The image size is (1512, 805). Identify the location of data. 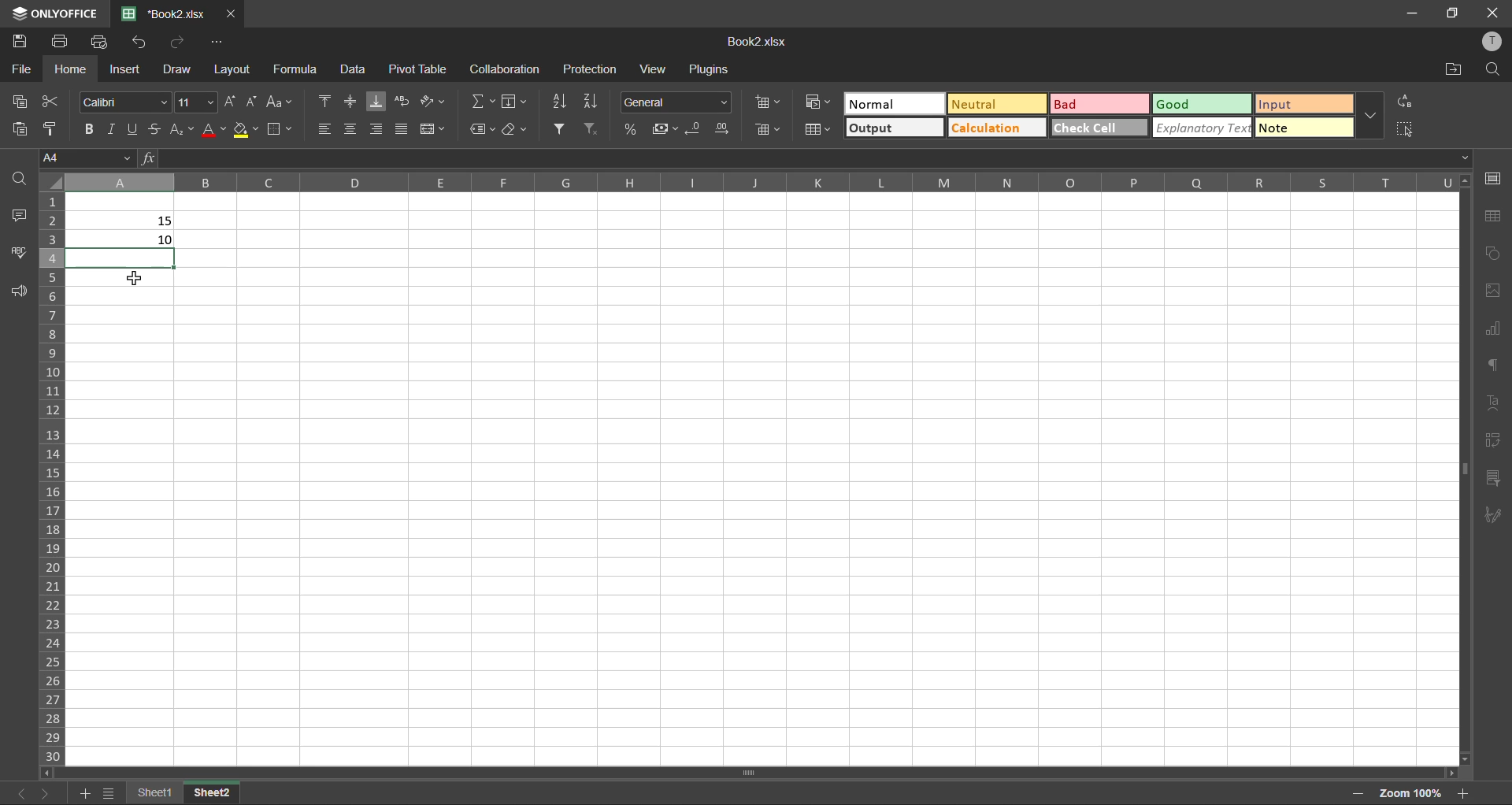
(351, 69).